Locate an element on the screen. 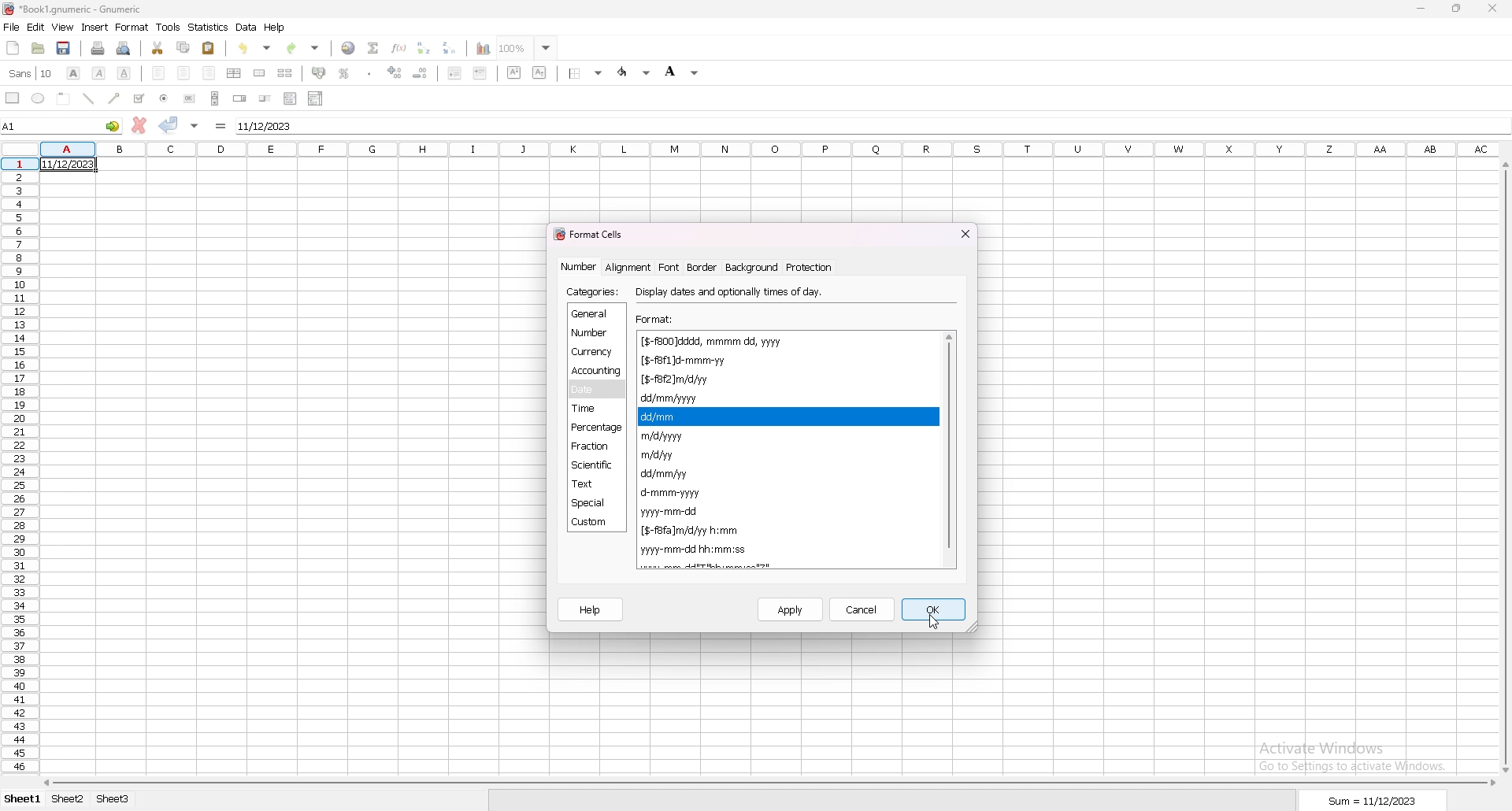 The width and height of the screenshot is (1512, 811). tickbox is located at coordinates (140, 98).